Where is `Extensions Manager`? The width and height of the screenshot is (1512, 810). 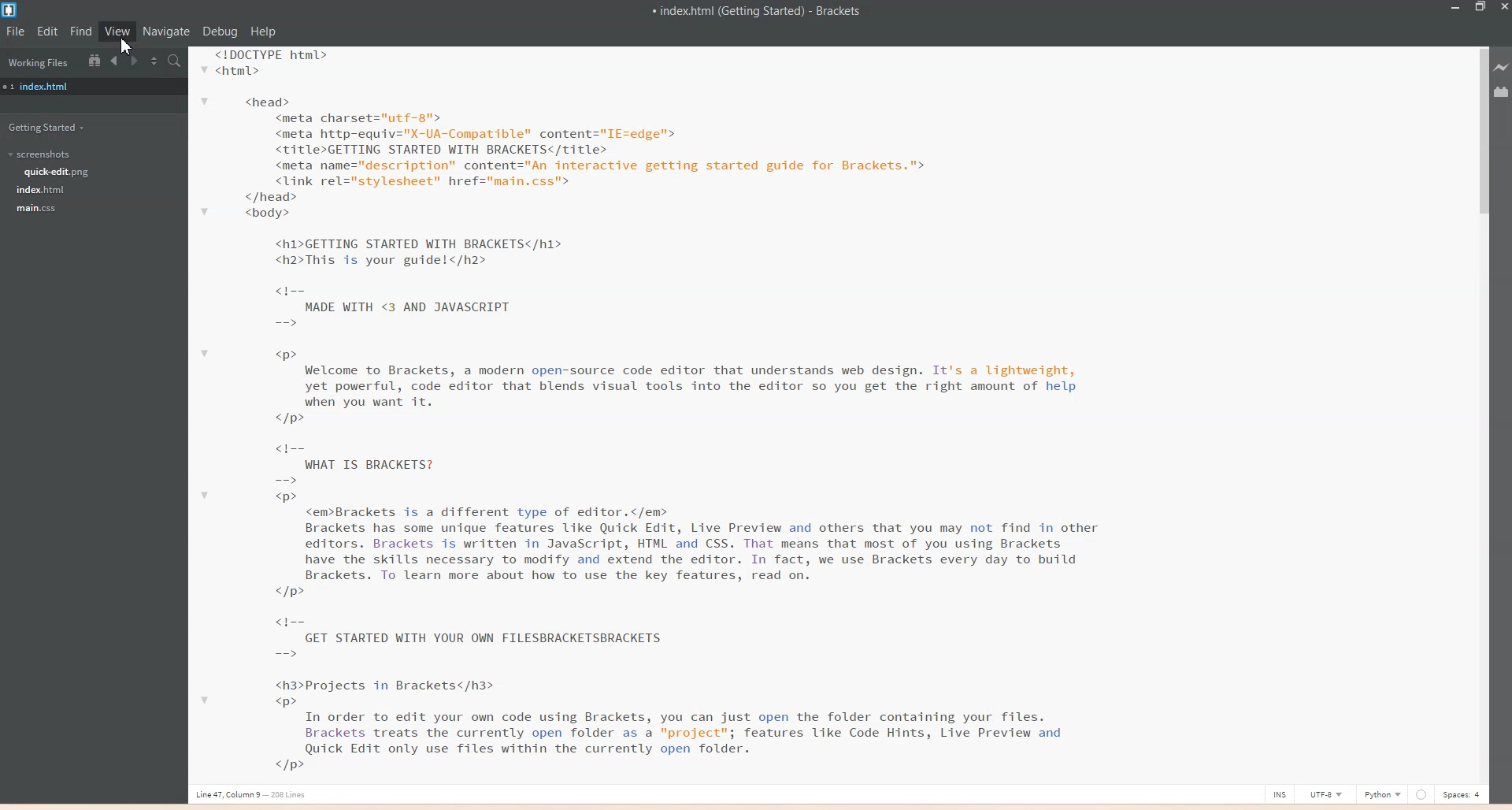 Extensions Manager is located at coordinates (1502, 91).